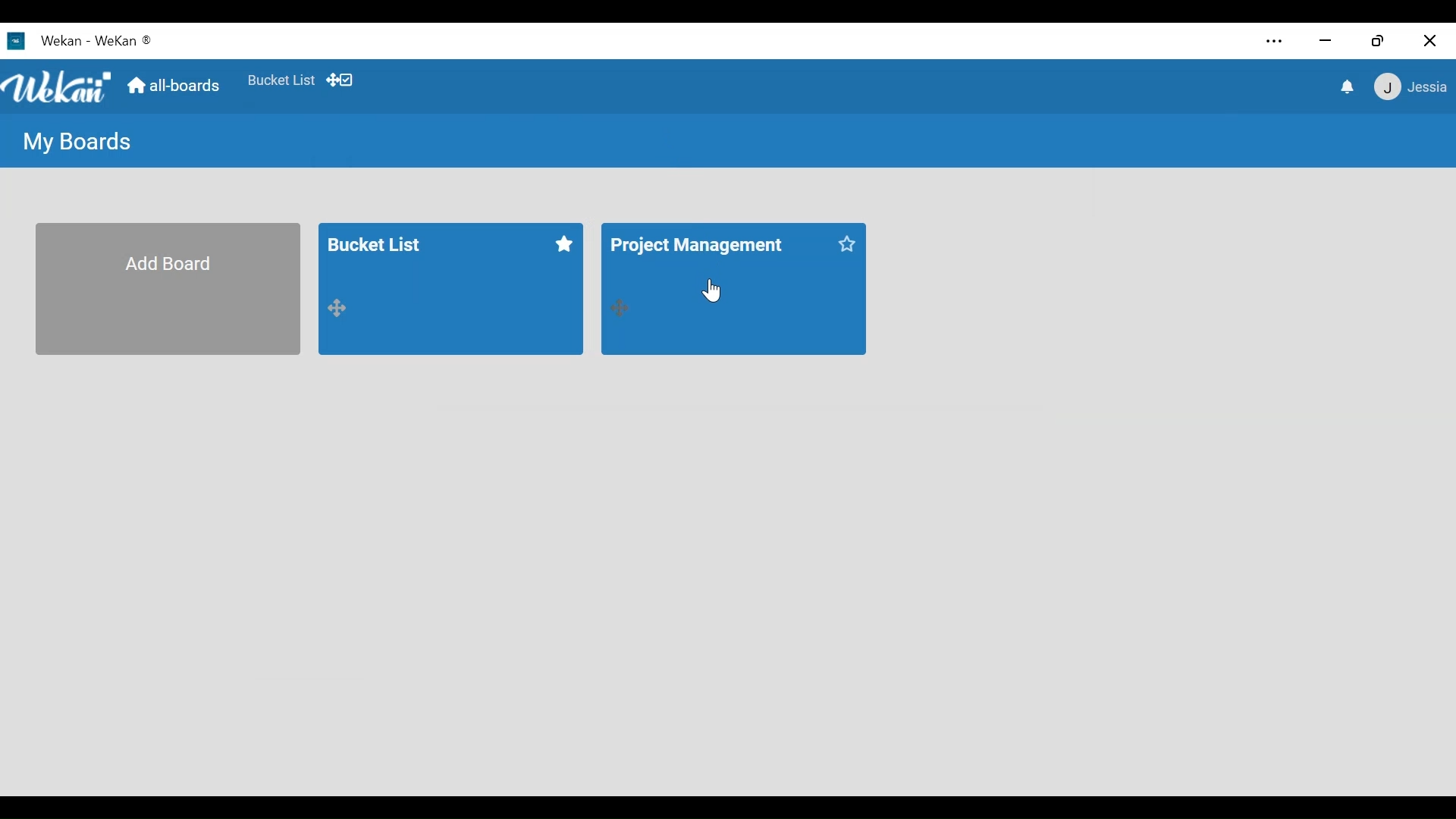  Describe the element at coordinates (280, 80) in the screenshot. I see `Favorite` at that location.